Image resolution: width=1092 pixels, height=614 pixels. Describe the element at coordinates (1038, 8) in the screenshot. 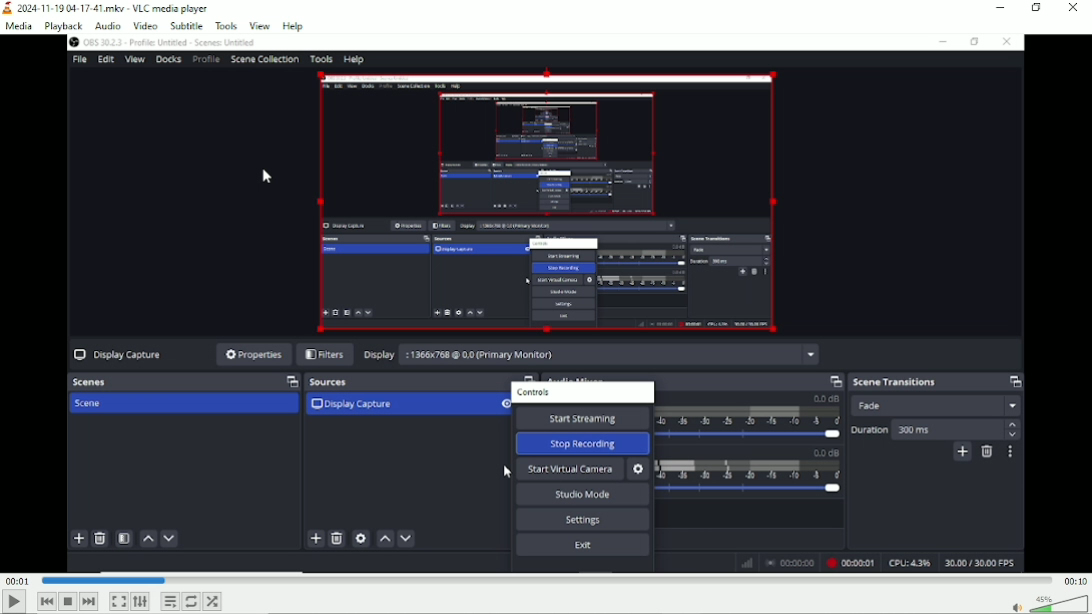

I see `restore down` at that location.